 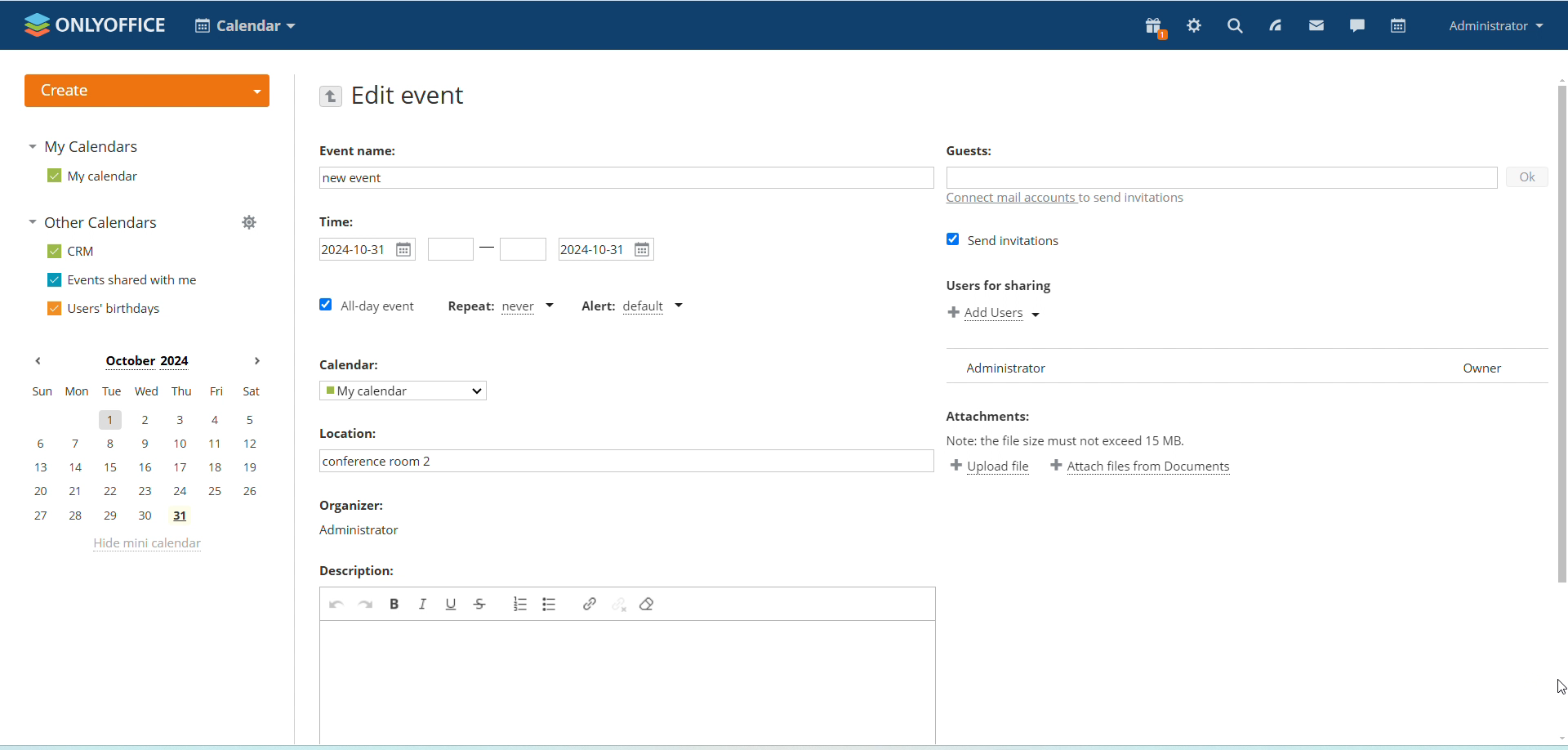 I want to click on attach file from documents, so click(x=1142, y=467).